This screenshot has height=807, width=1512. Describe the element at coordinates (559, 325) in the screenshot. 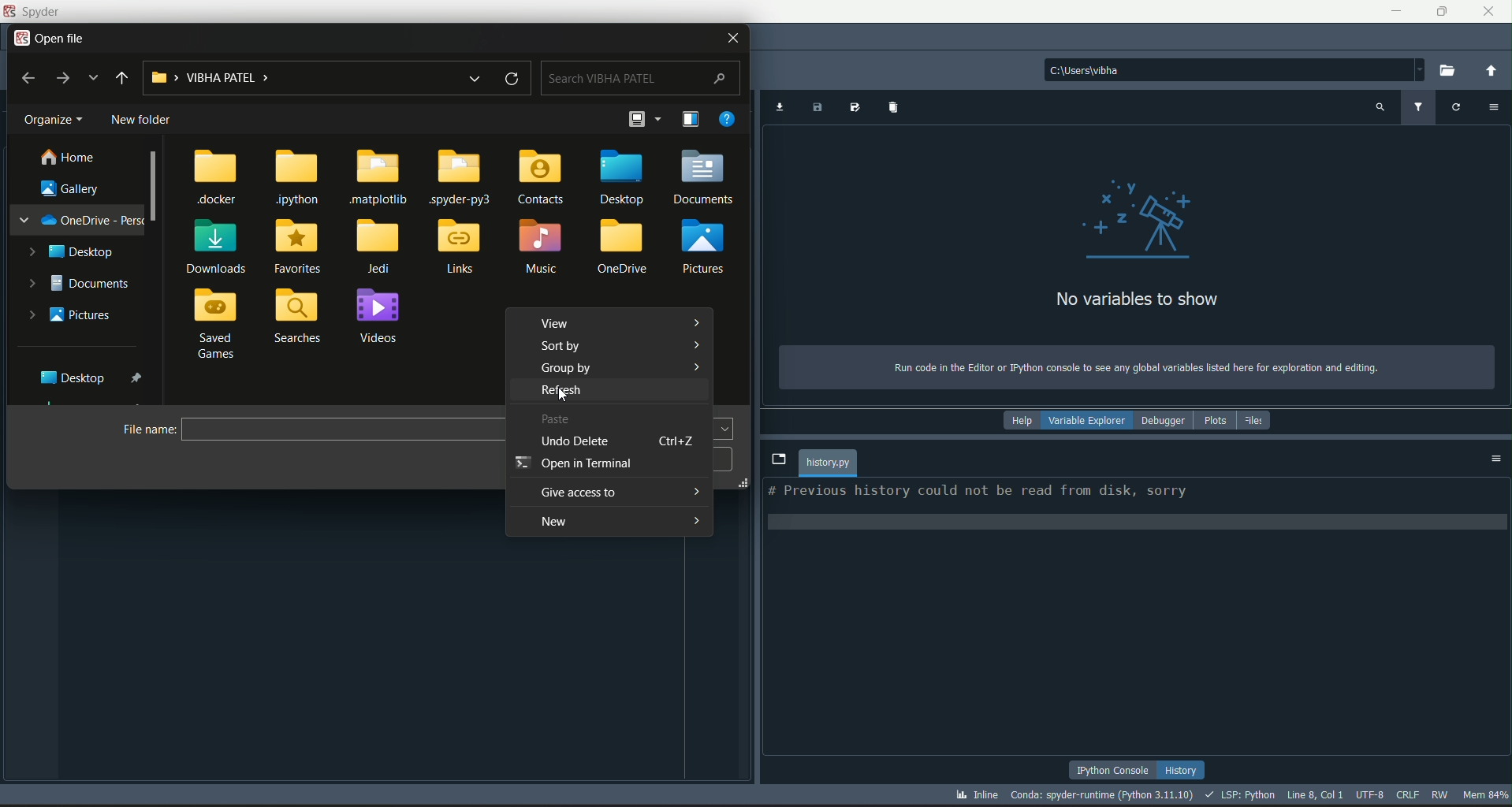

I see `view` at that location.